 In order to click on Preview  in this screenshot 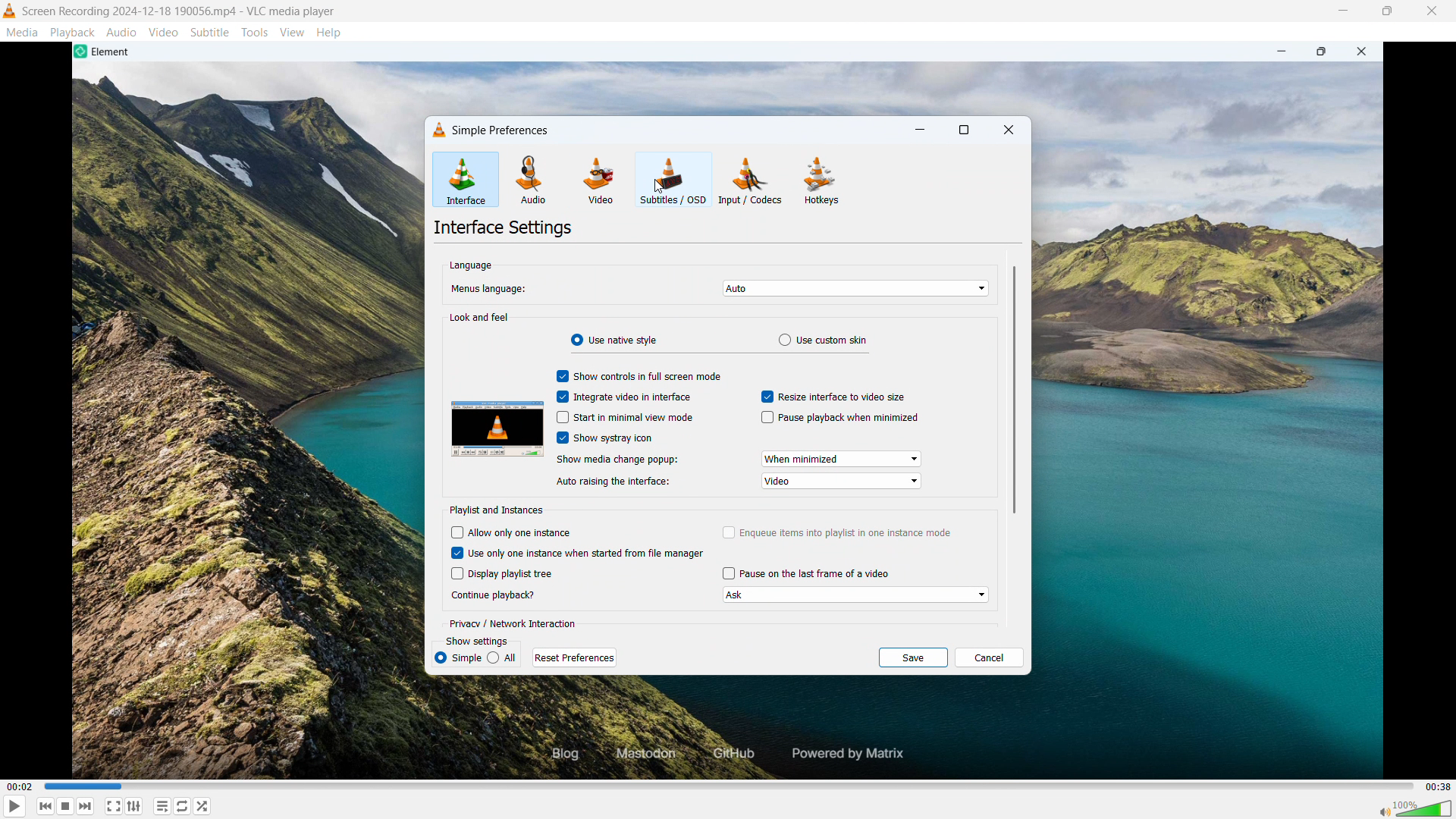, I will do `click(496, 430)`.